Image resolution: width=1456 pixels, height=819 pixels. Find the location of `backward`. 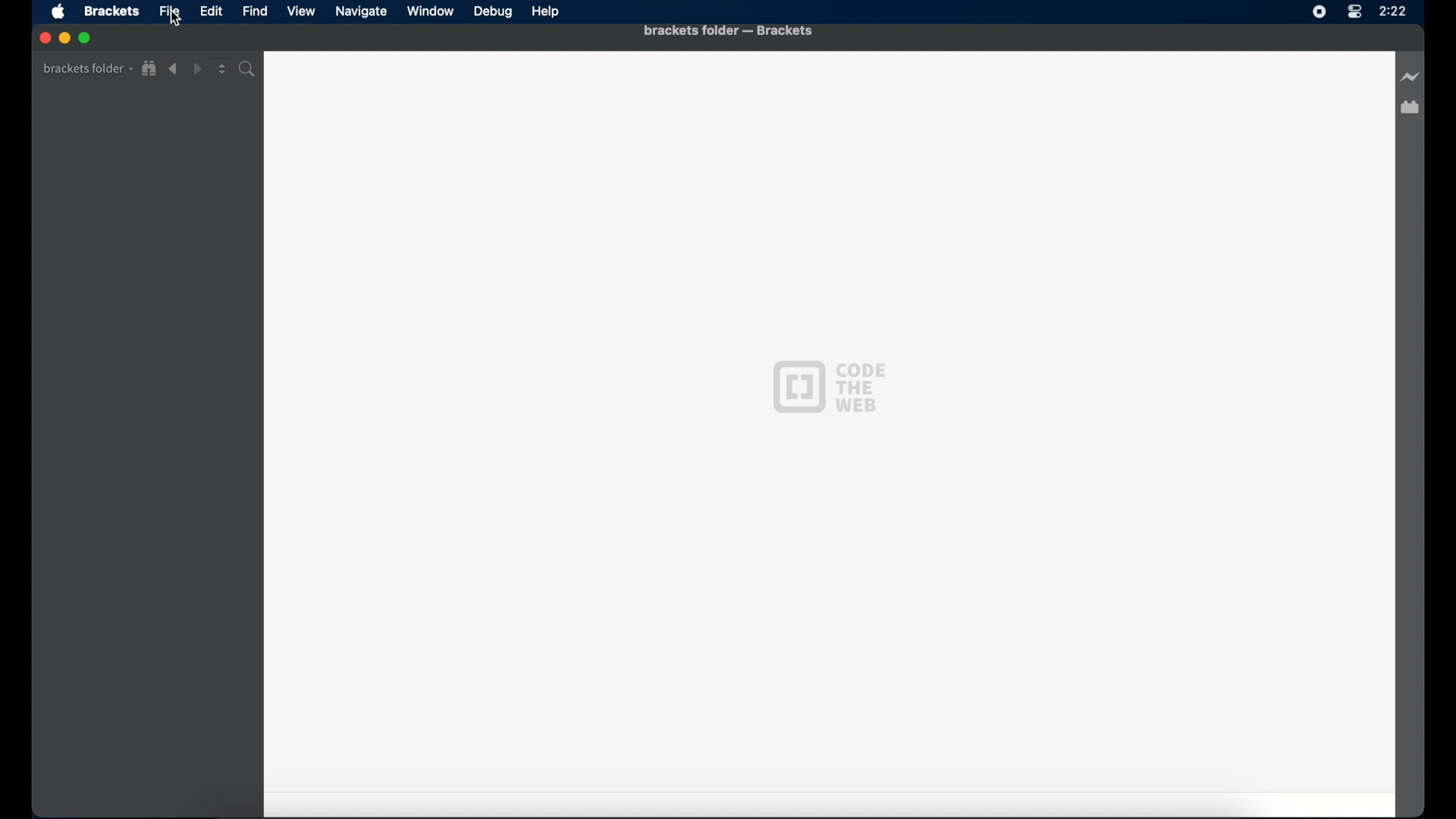

backward is located at coordinates (174, 69).